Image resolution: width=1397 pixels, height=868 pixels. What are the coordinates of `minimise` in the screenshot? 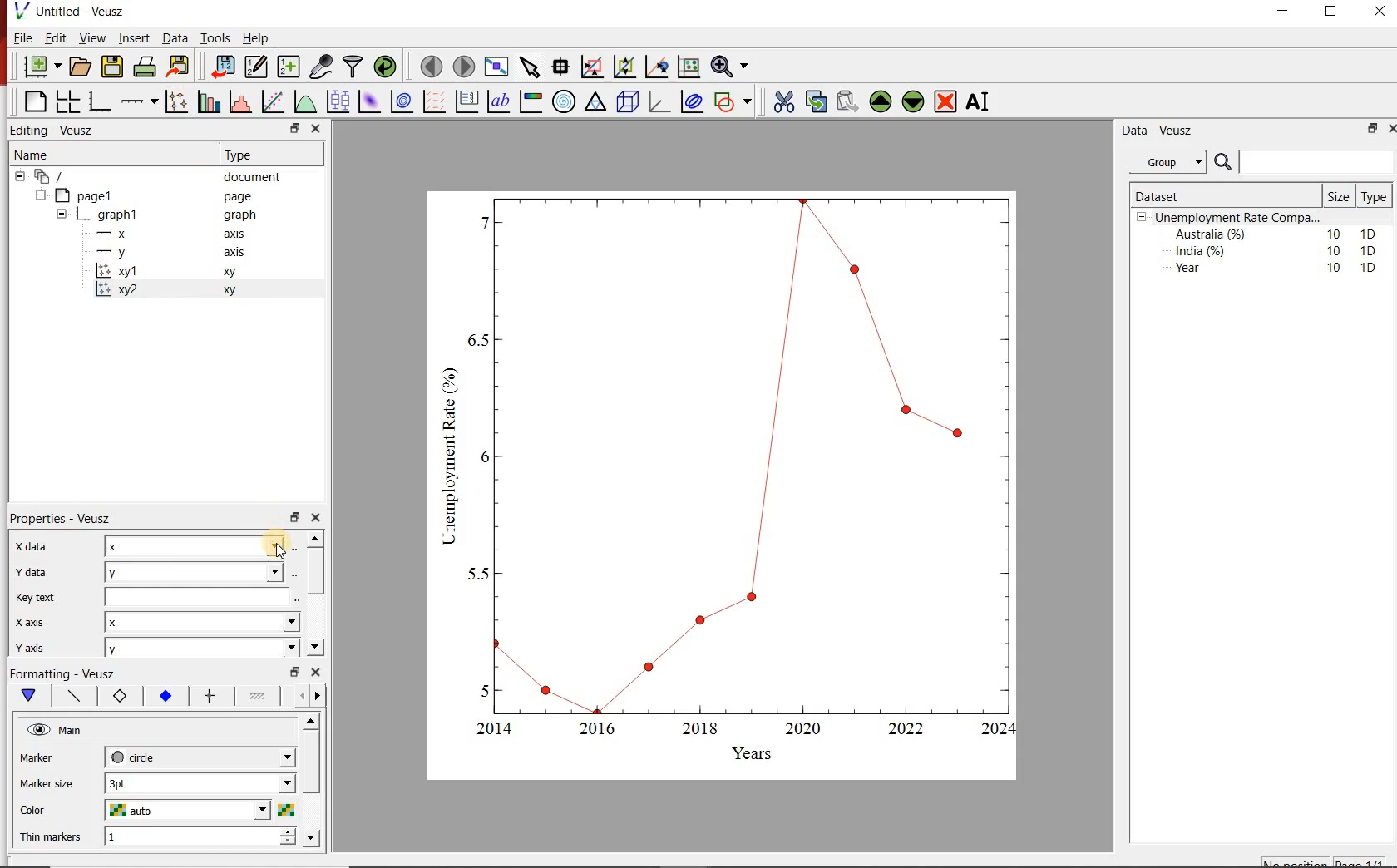 It's located at (295, 670).